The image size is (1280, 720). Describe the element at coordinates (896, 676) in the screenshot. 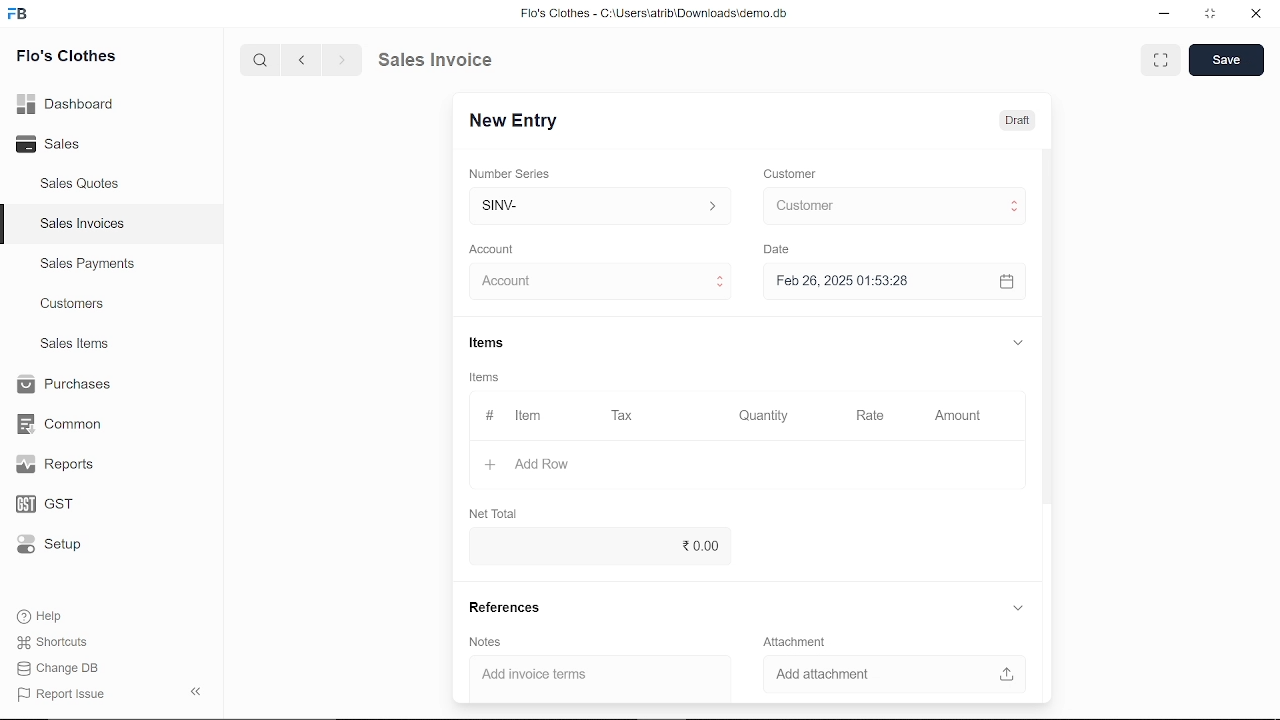

I see `Add attachment` at that location.